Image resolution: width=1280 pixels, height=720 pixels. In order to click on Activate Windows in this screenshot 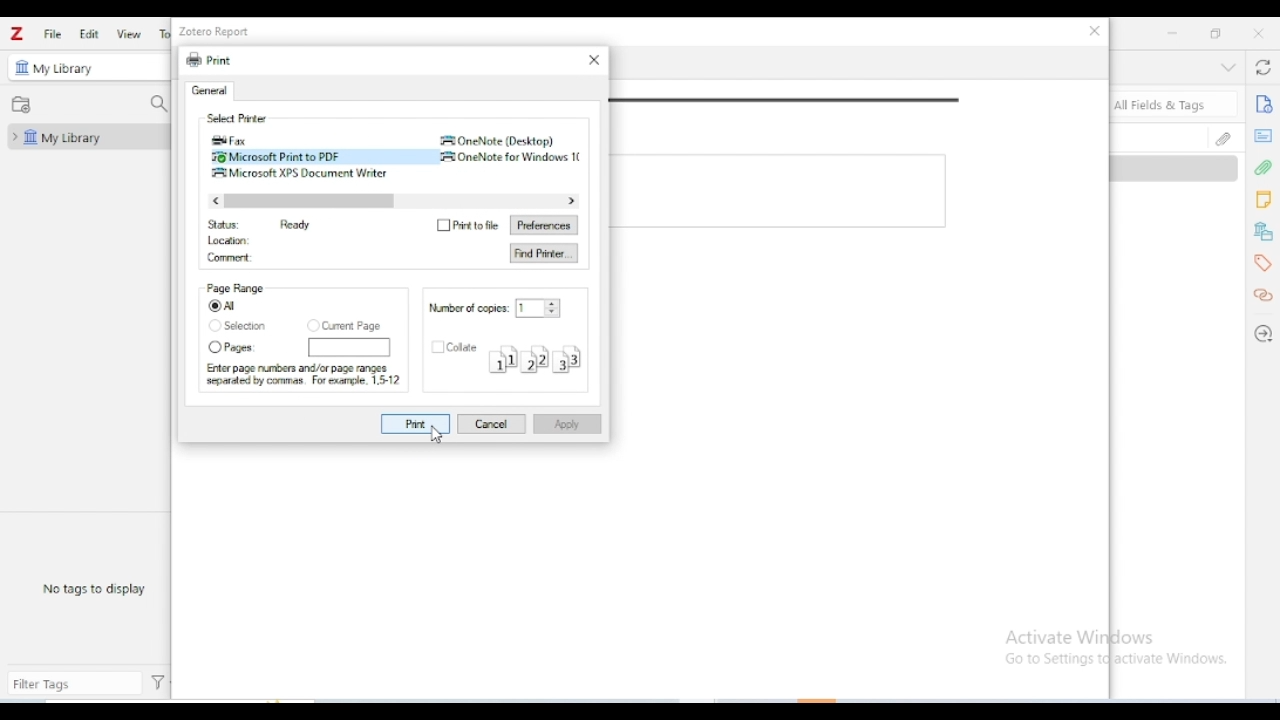, I will do `click(1080, 637)`.